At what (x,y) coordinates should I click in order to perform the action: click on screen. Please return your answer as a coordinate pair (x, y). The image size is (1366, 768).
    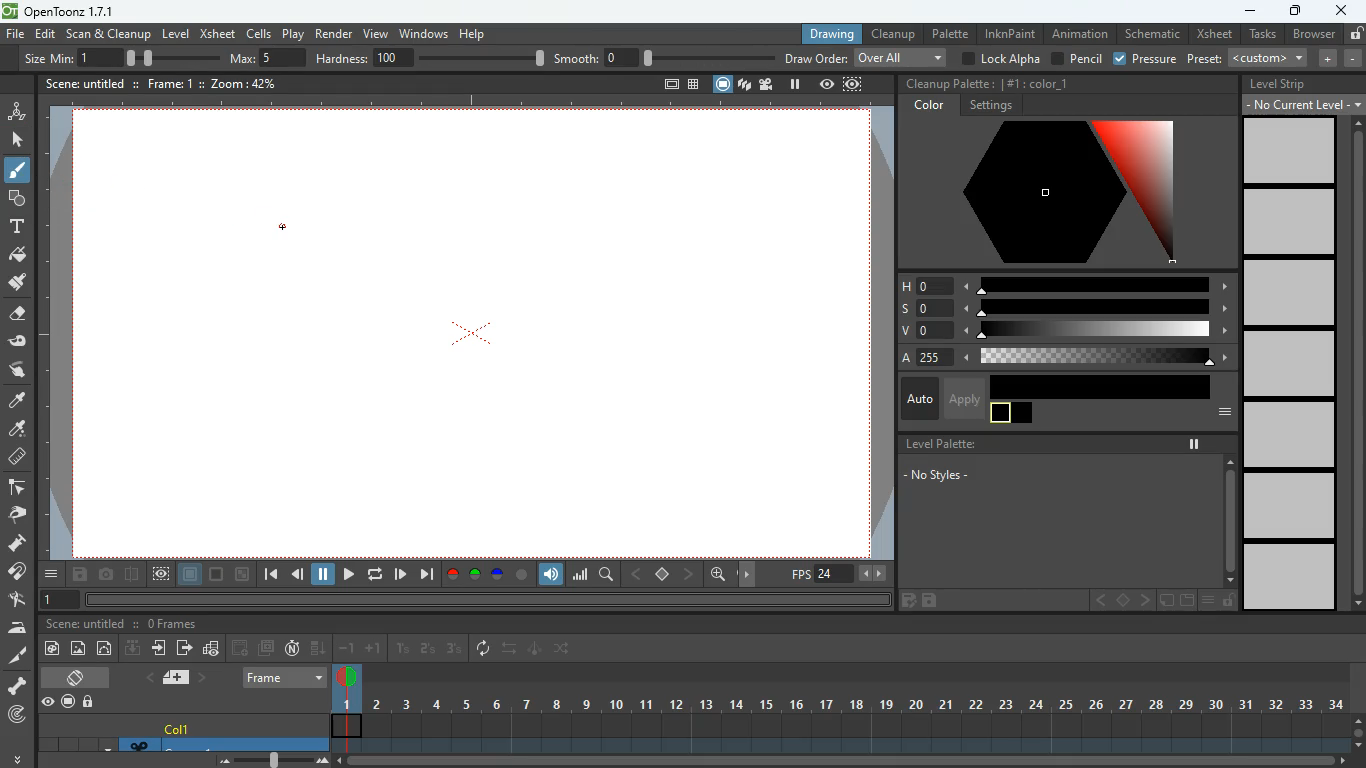
    Looking at the image, I should click on (266, 648).